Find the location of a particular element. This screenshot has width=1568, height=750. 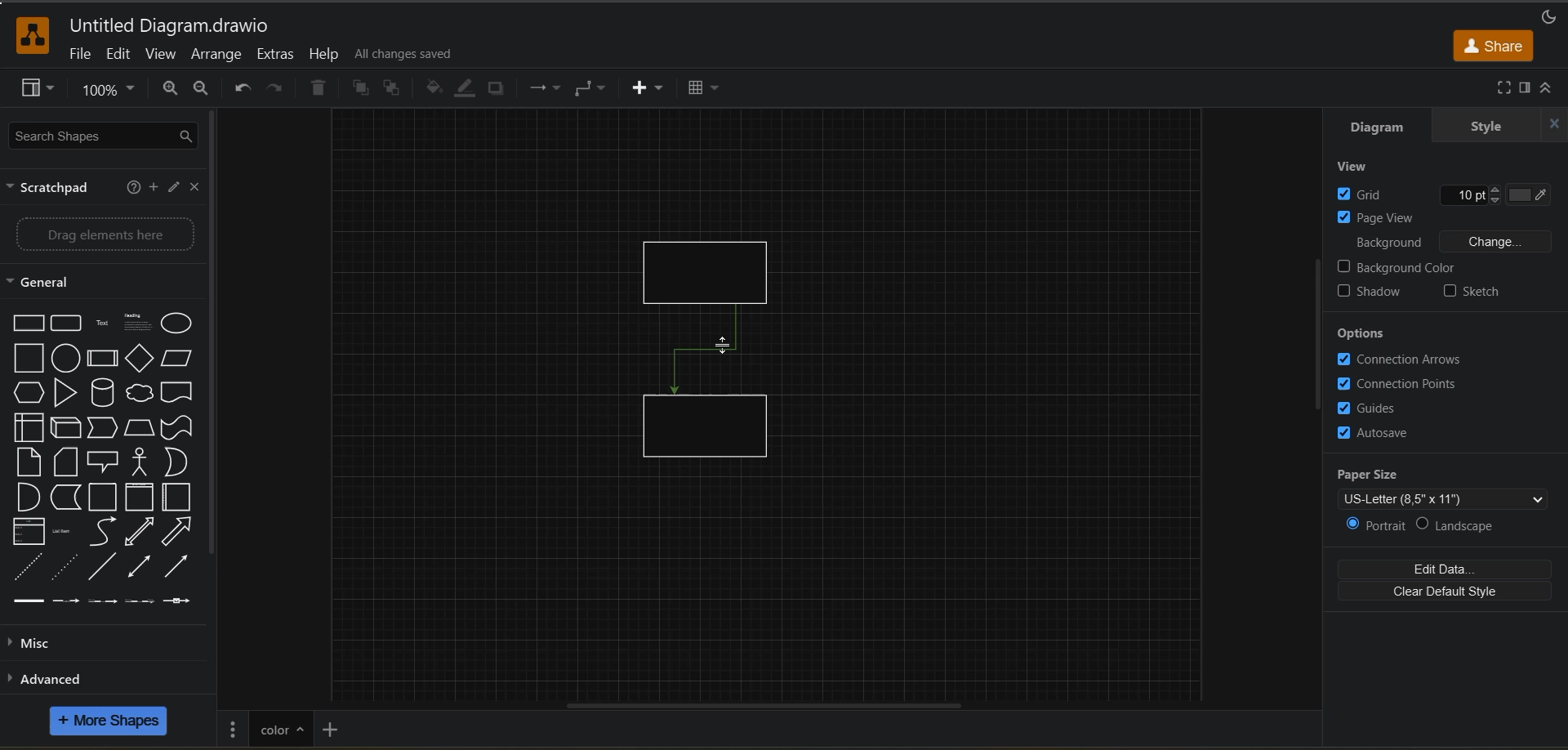

Horizontal Container is located at coordinates (180, 498).